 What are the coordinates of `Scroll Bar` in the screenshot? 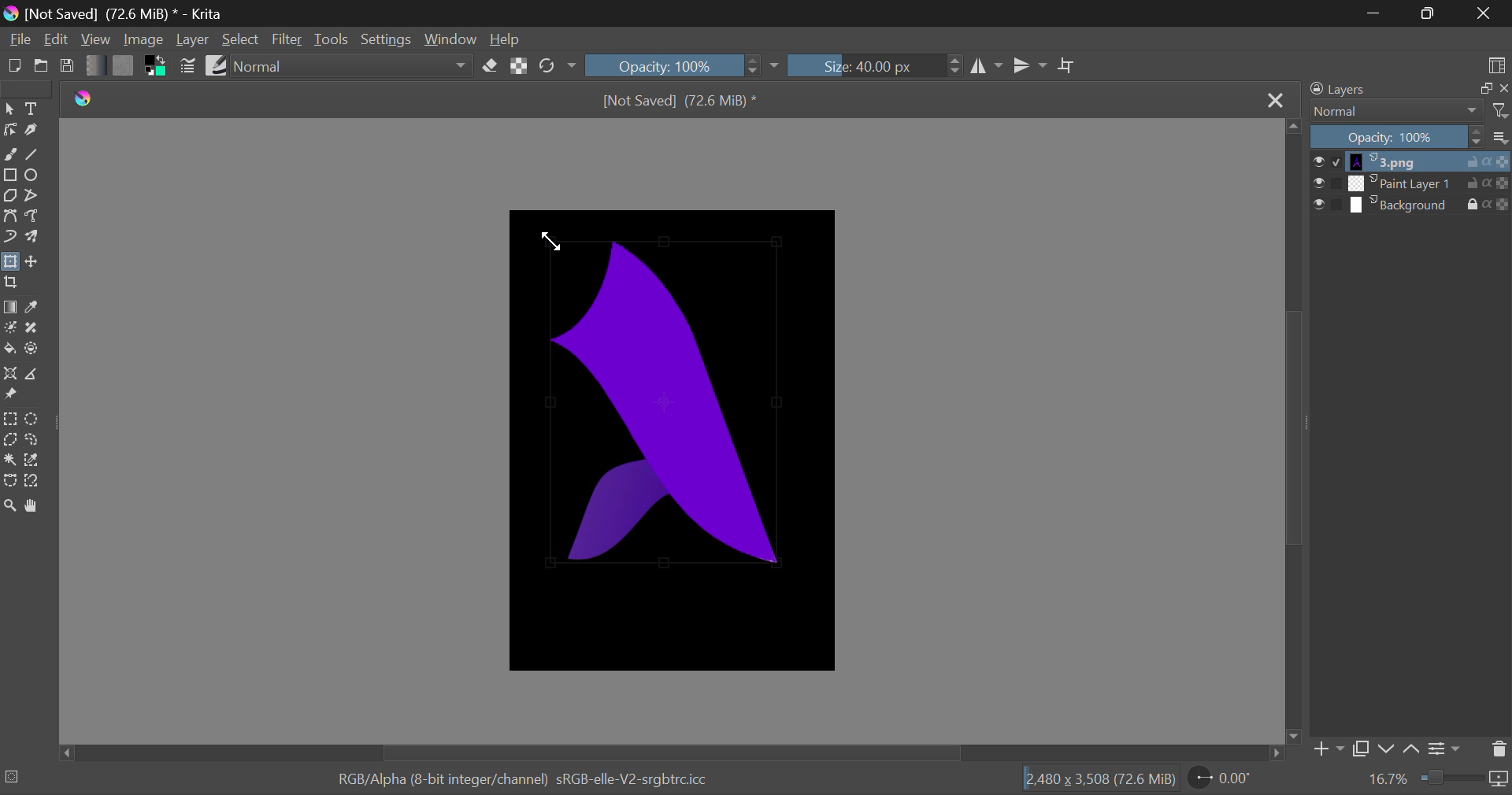 It's located at (1293, 431).